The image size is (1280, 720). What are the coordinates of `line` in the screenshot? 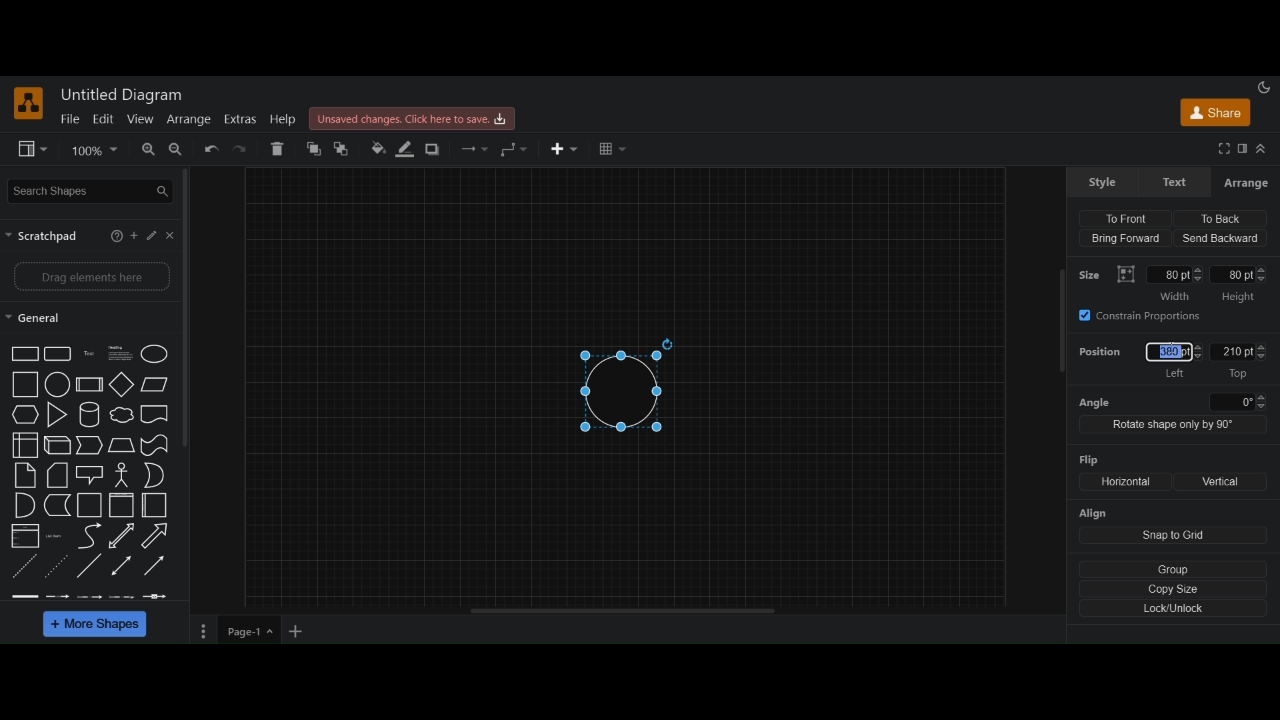 It's located at (89, 565).